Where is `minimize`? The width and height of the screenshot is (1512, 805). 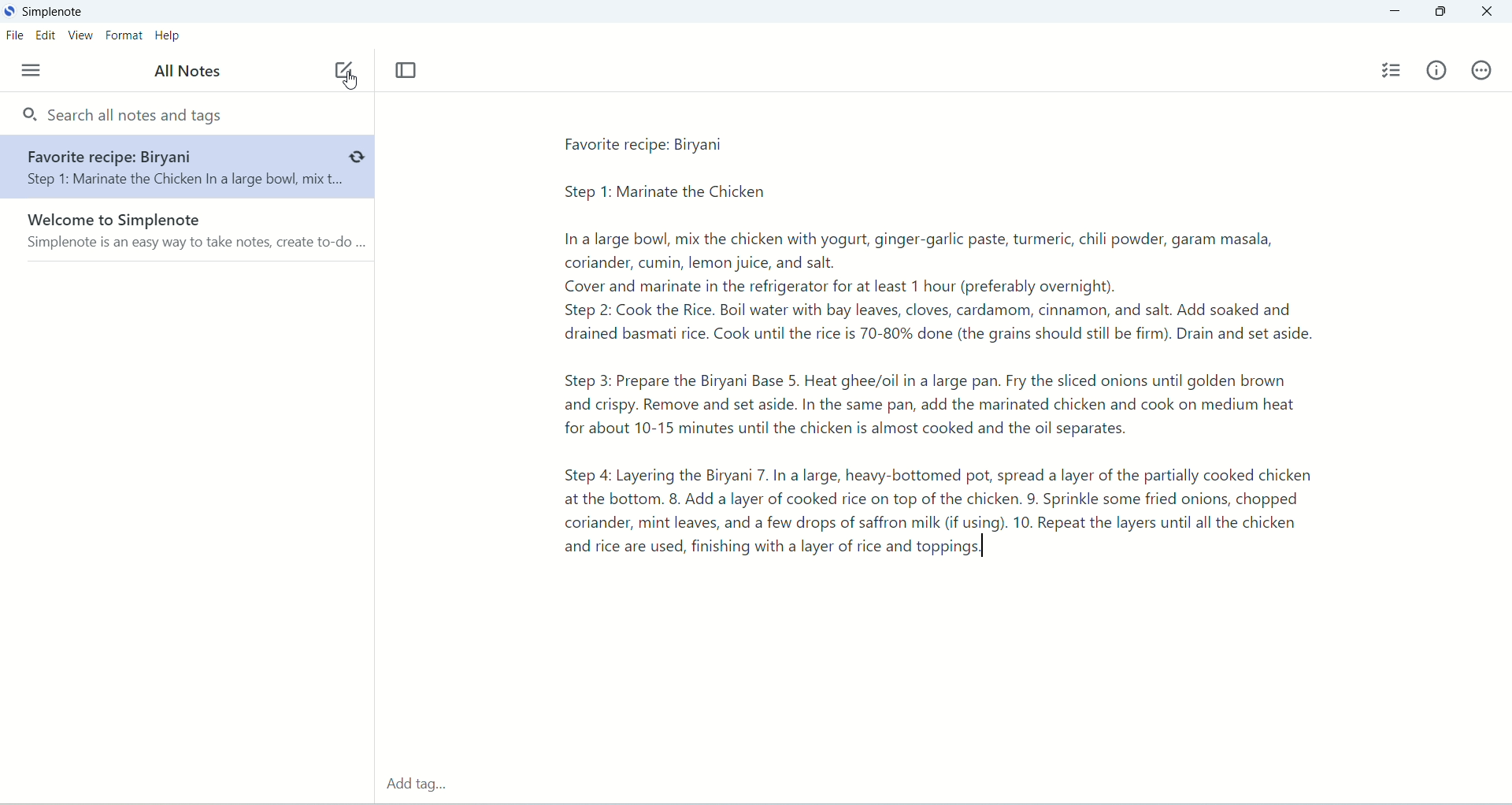
minimize is located at coordinates (1396, 12).